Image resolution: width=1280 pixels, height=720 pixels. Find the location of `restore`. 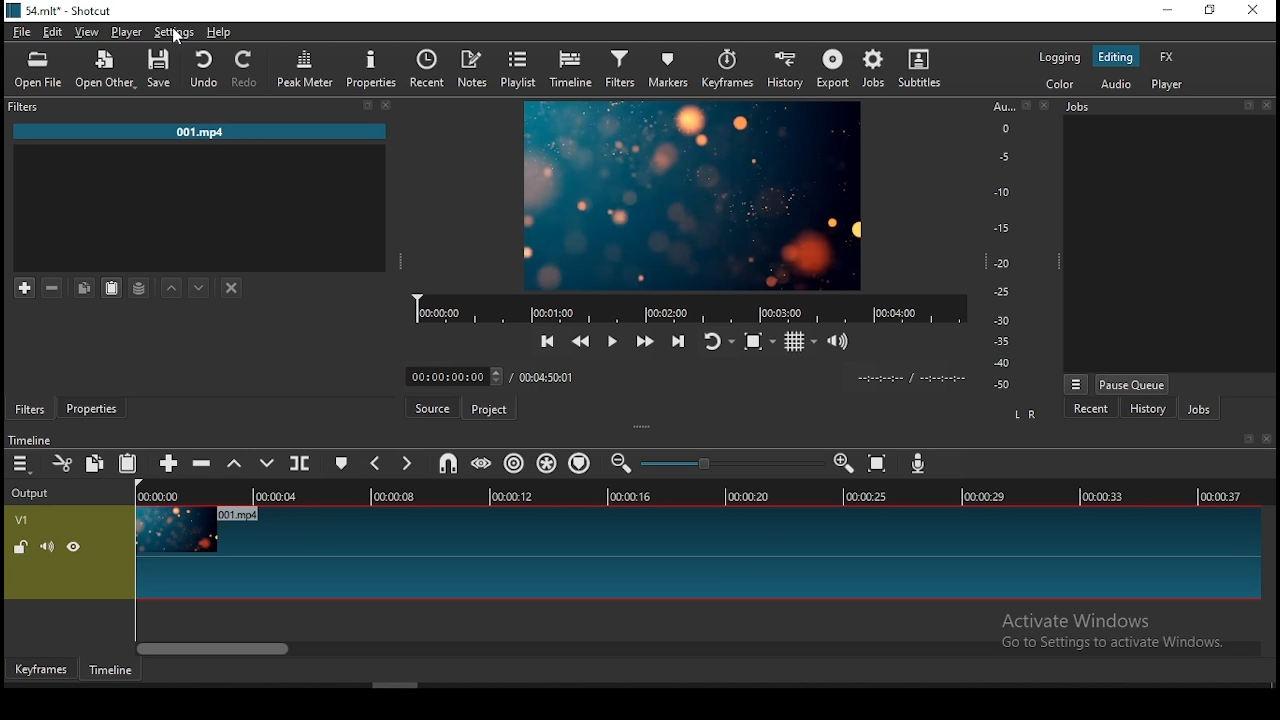

restore is located at coordinates (367, 106).